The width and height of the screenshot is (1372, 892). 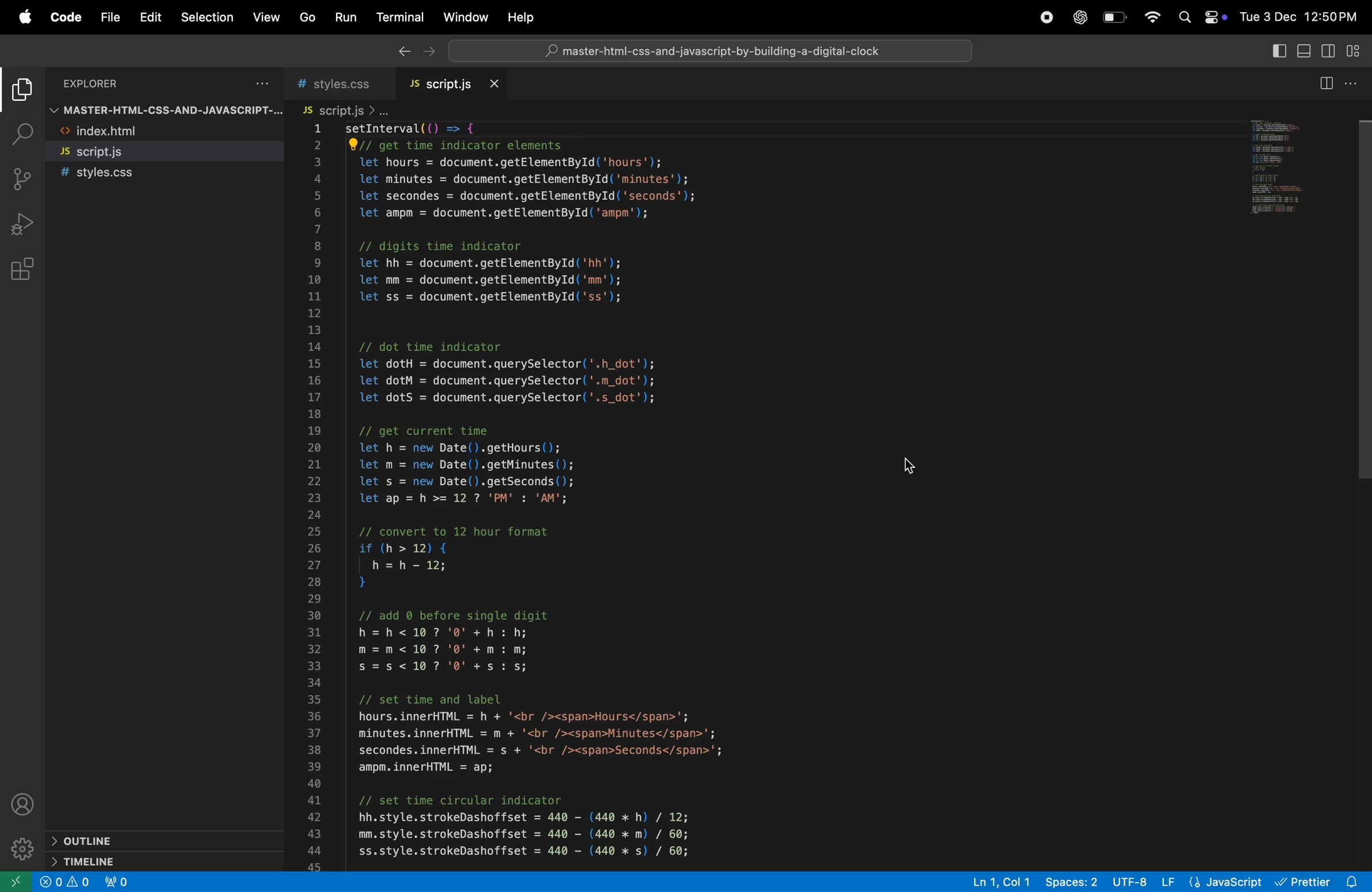 I want to click on script.js, so click(x=168, y=153).